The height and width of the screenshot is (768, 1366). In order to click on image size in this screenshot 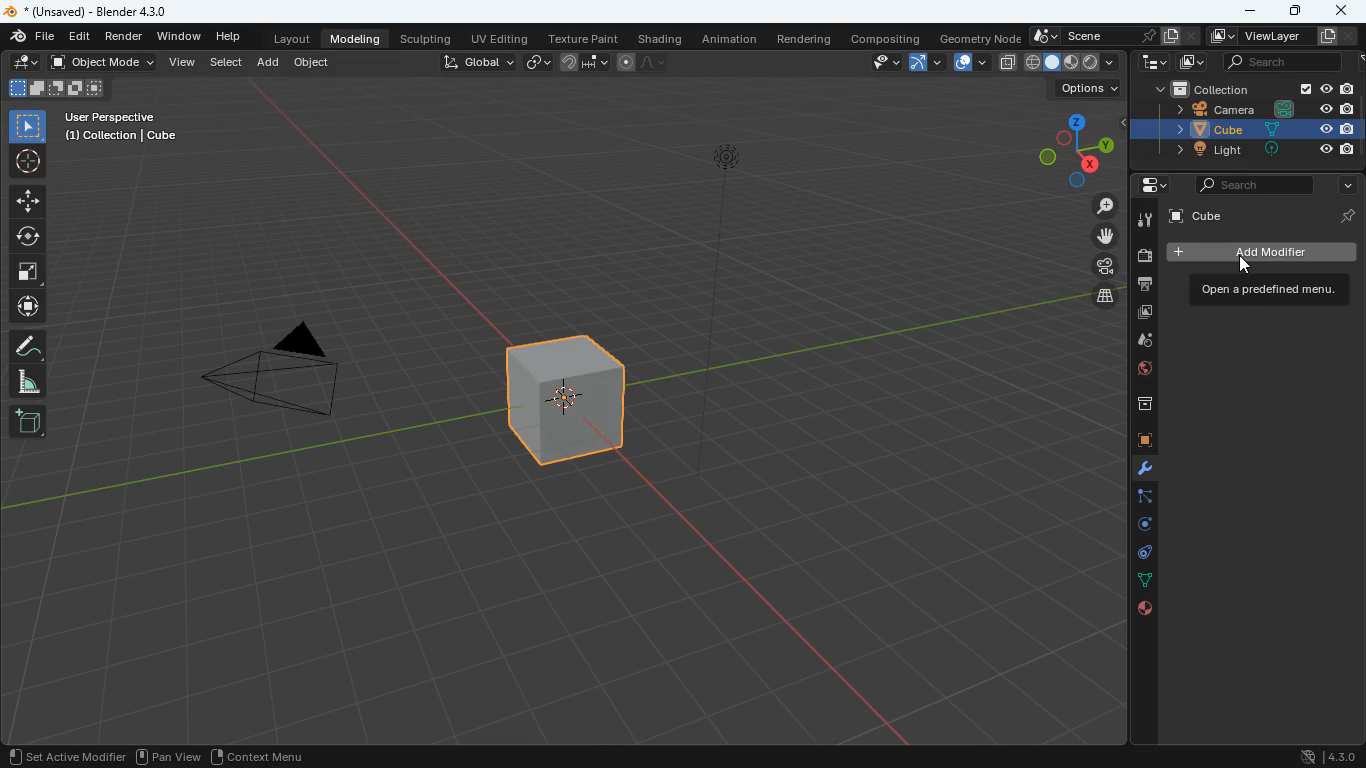, I will do `click(55, 87)`.